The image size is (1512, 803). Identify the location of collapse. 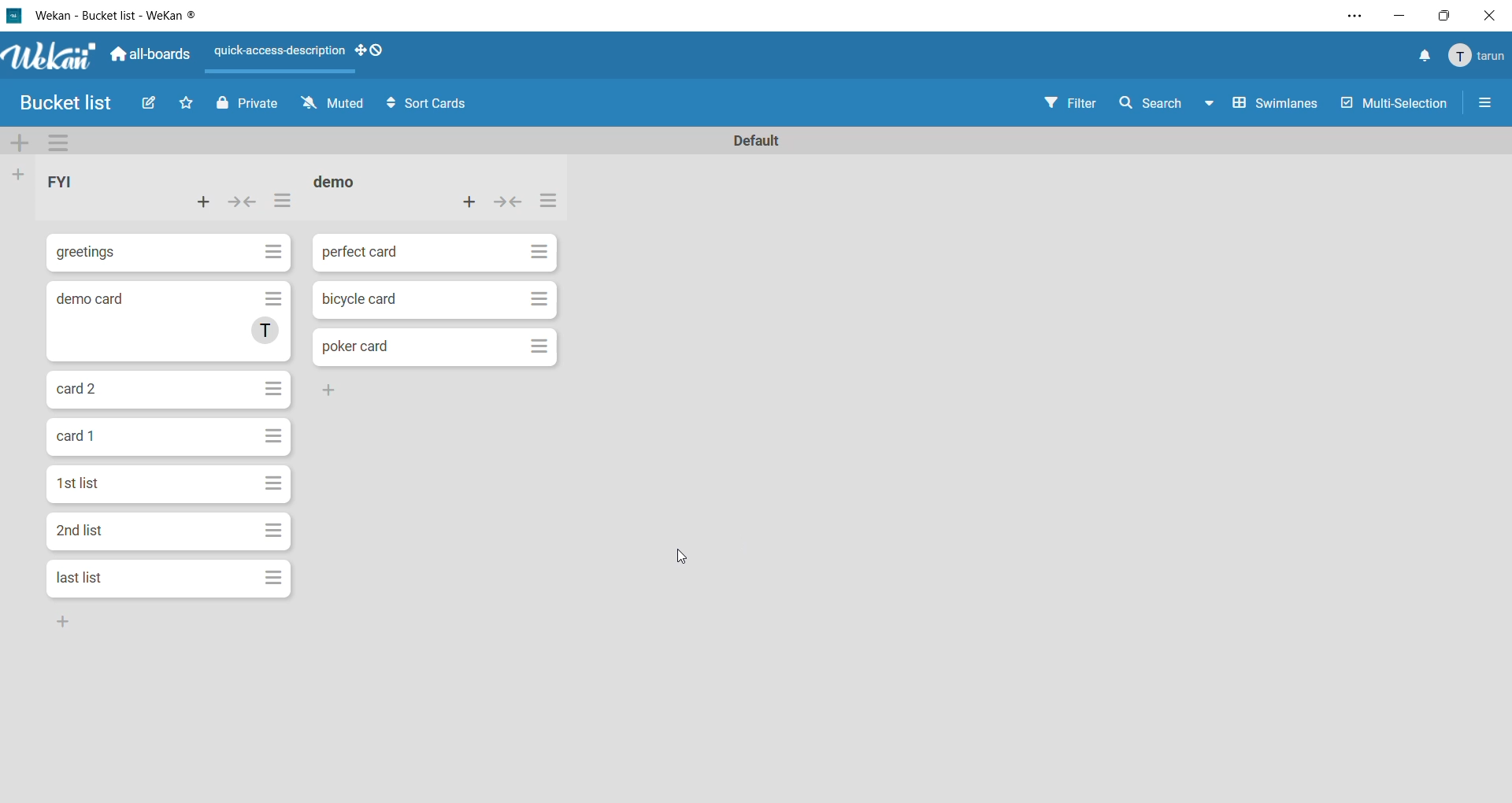
(243, 202).